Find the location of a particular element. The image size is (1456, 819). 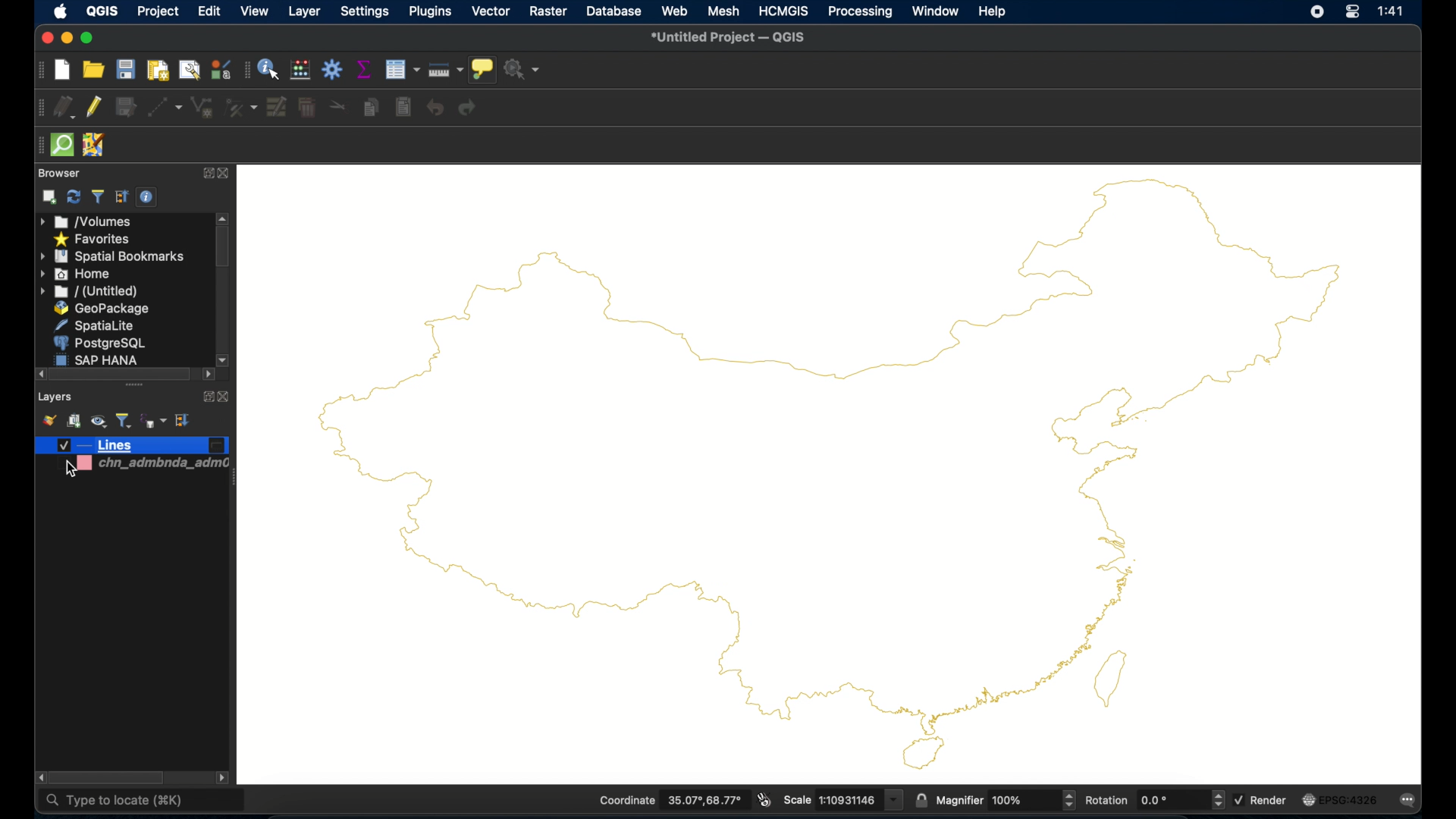

measure line is located at coordinates (446, 67).